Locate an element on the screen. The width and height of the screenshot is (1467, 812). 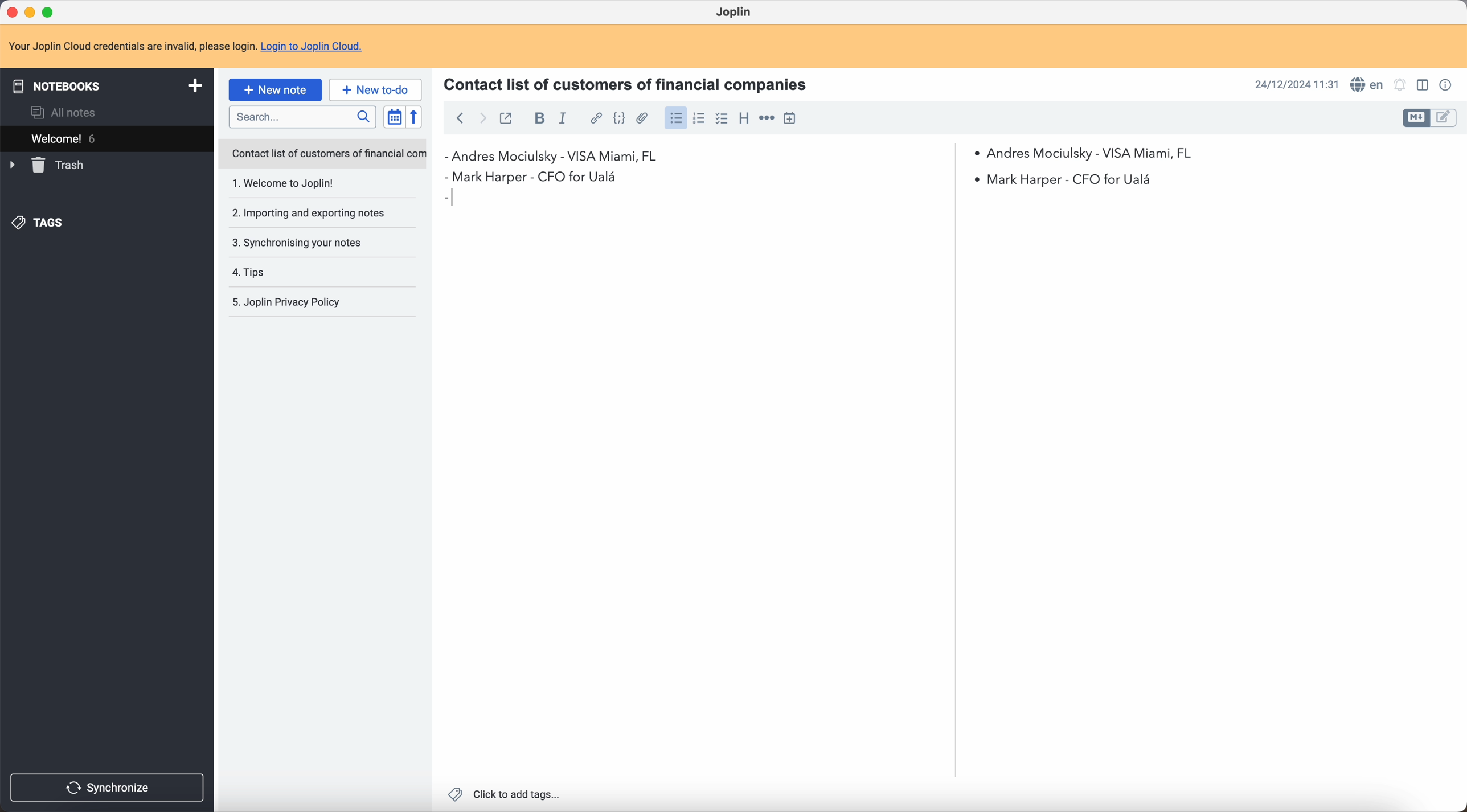
tags is located at coordinates (40, 223).